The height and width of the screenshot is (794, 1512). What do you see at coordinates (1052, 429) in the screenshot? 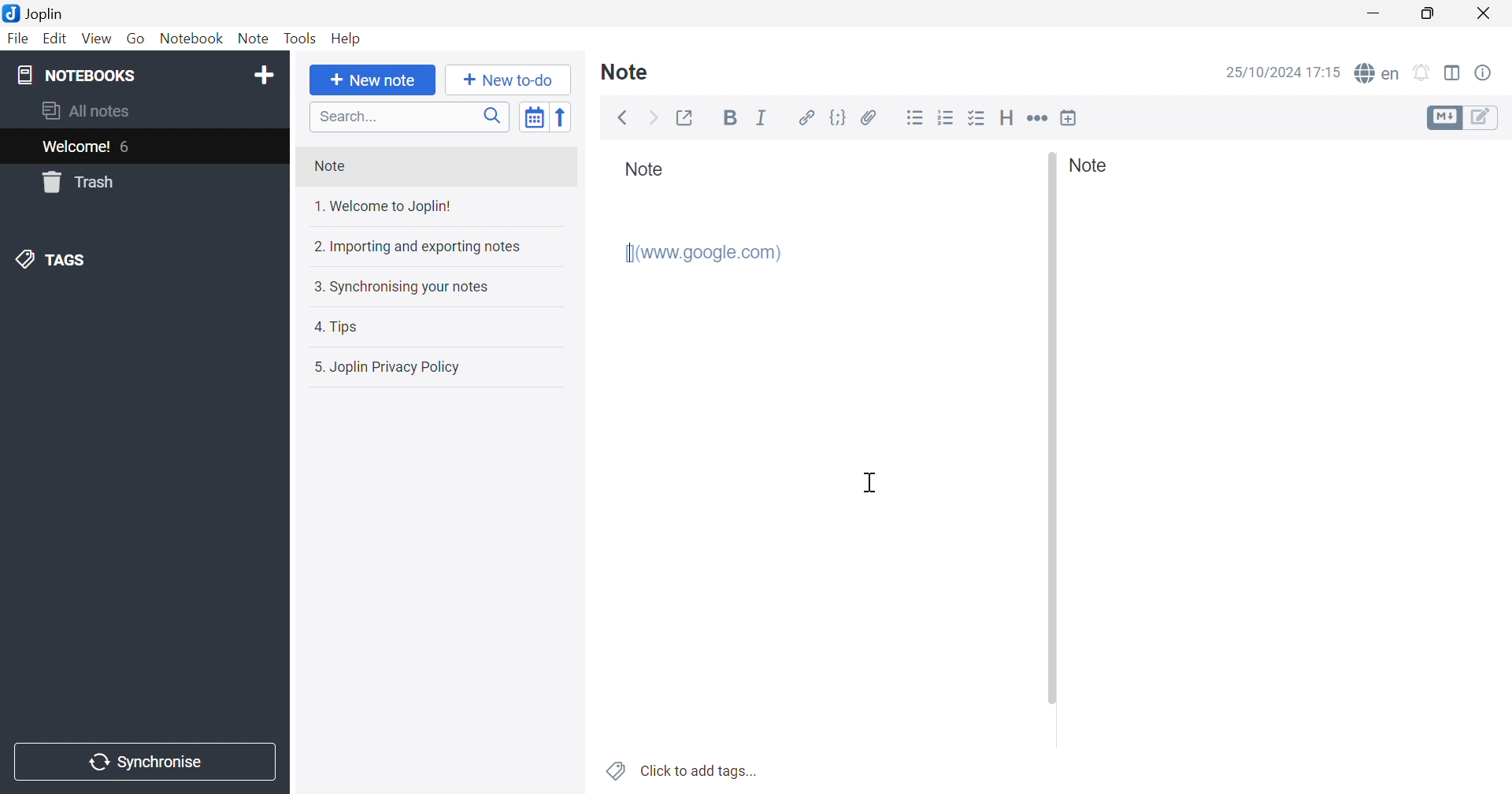
I see `scroll bar` at bounding box center [1052, 429].